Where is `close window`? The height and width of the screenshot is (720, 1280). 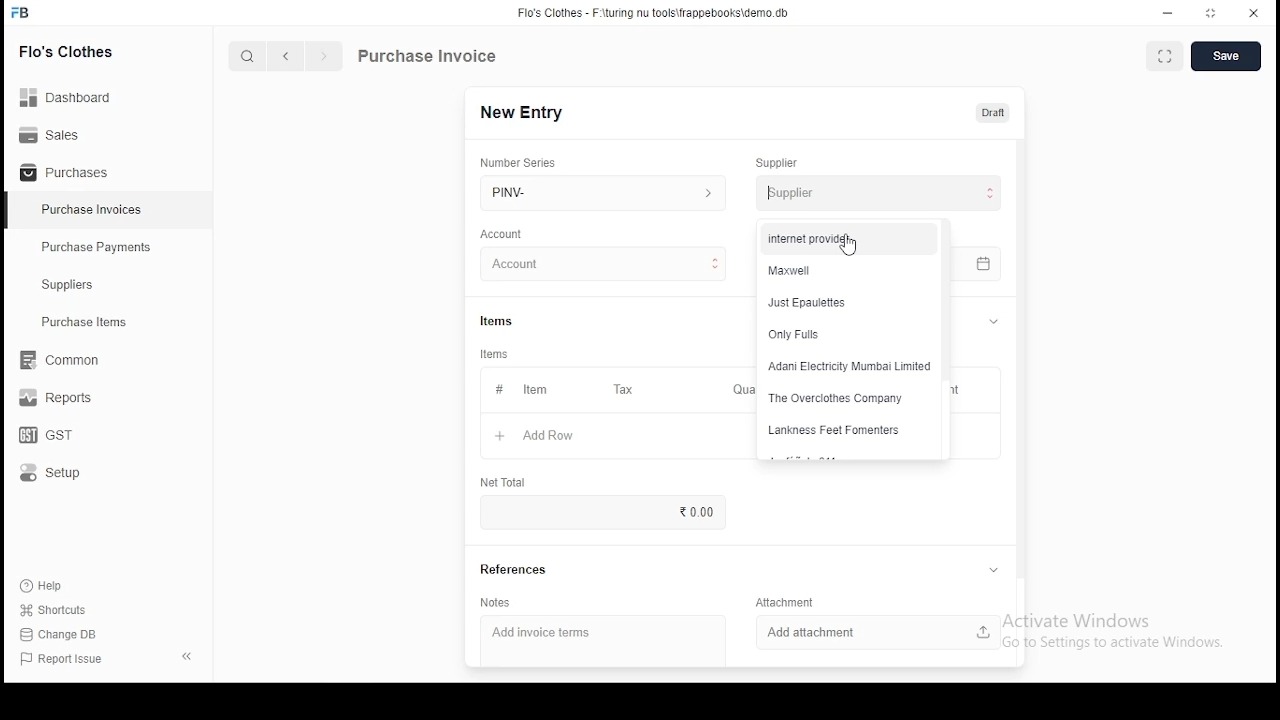
close window is located at coordinates (1254, 11).